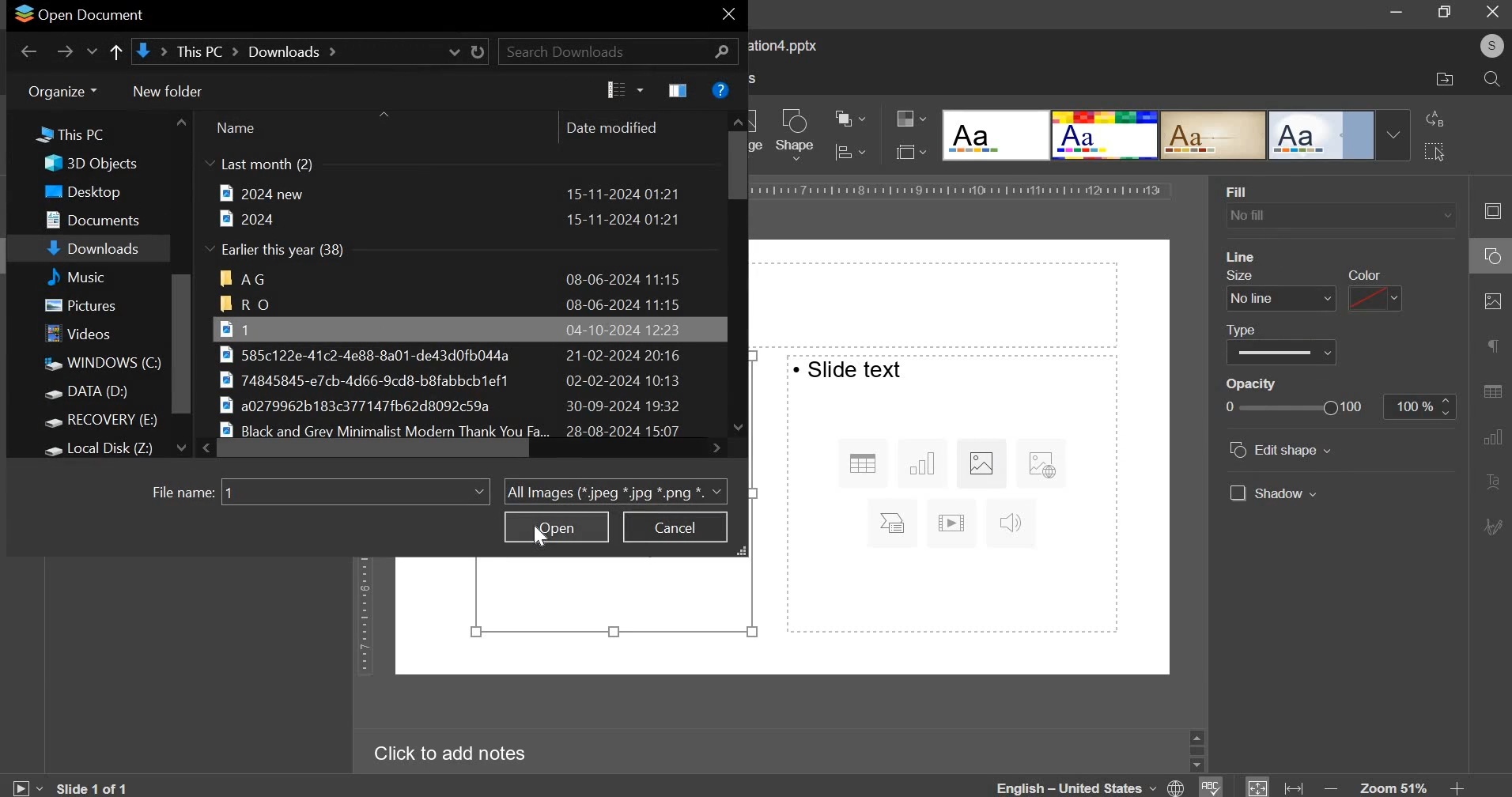 The height and width of the screenshot is (797, 1512). Describe the element at coordinates (1435, 119) in the screenshot. I see `replace` at that location.